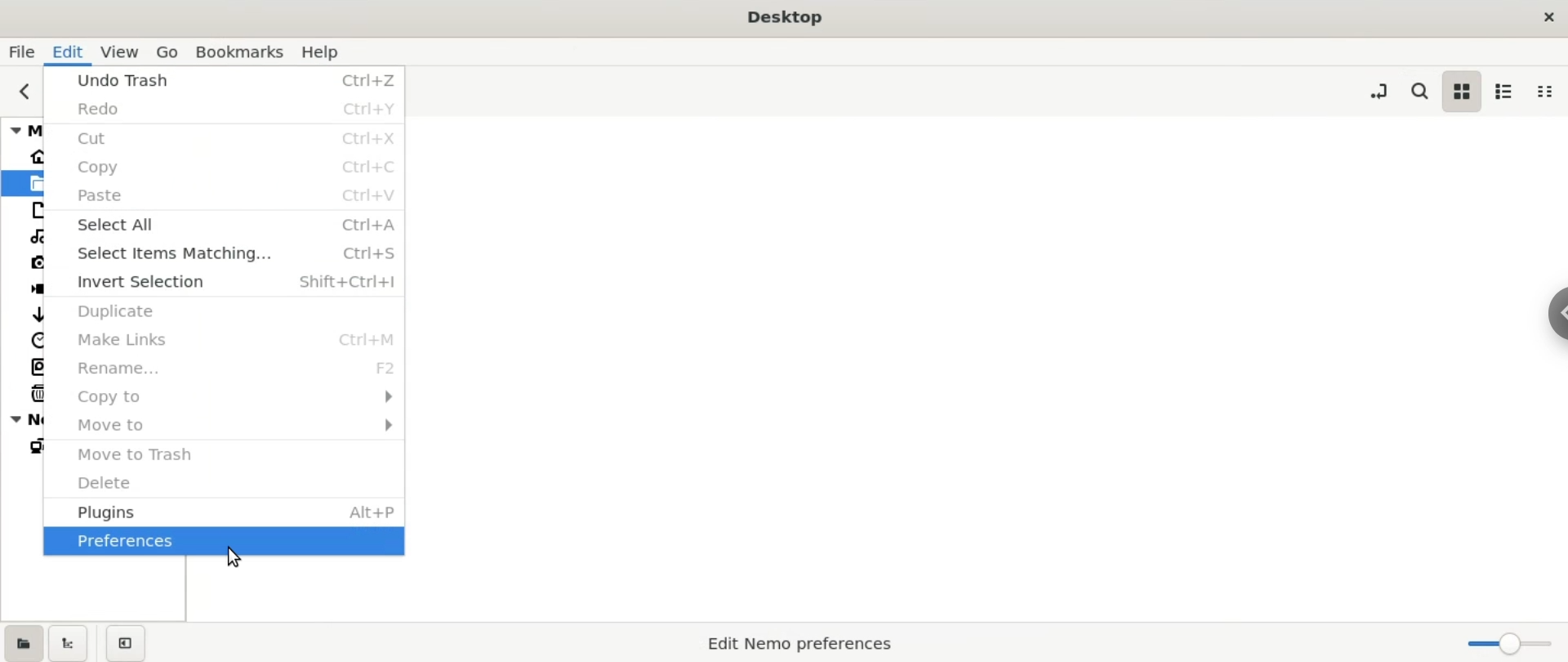  What do you see at coordinates (21, 644) in the screenshot?
I see `show places` at bounding box center [21, 644].